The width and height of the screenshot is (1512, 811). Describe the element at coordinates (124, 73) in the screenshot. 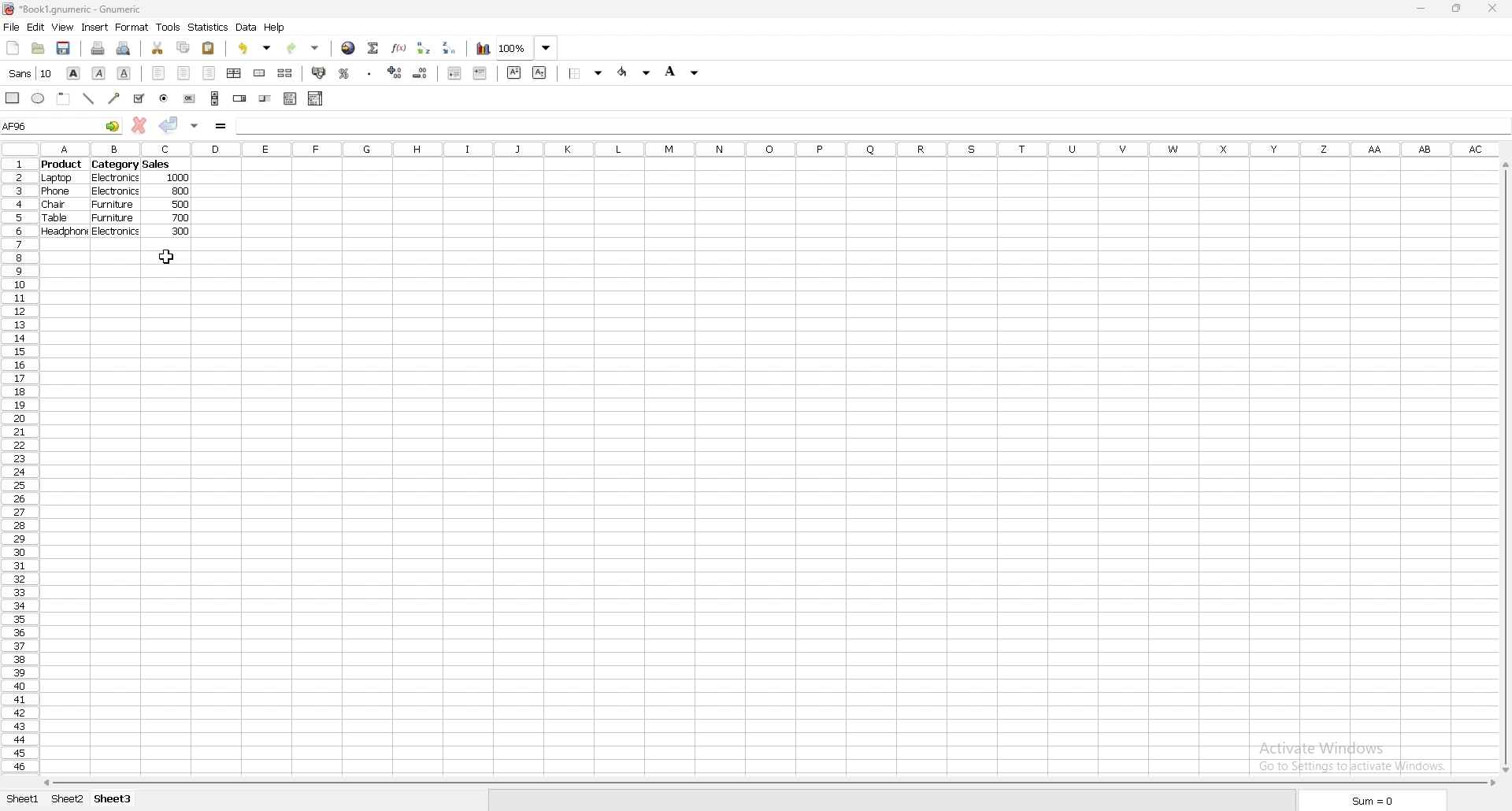

I see `underline` at that location.